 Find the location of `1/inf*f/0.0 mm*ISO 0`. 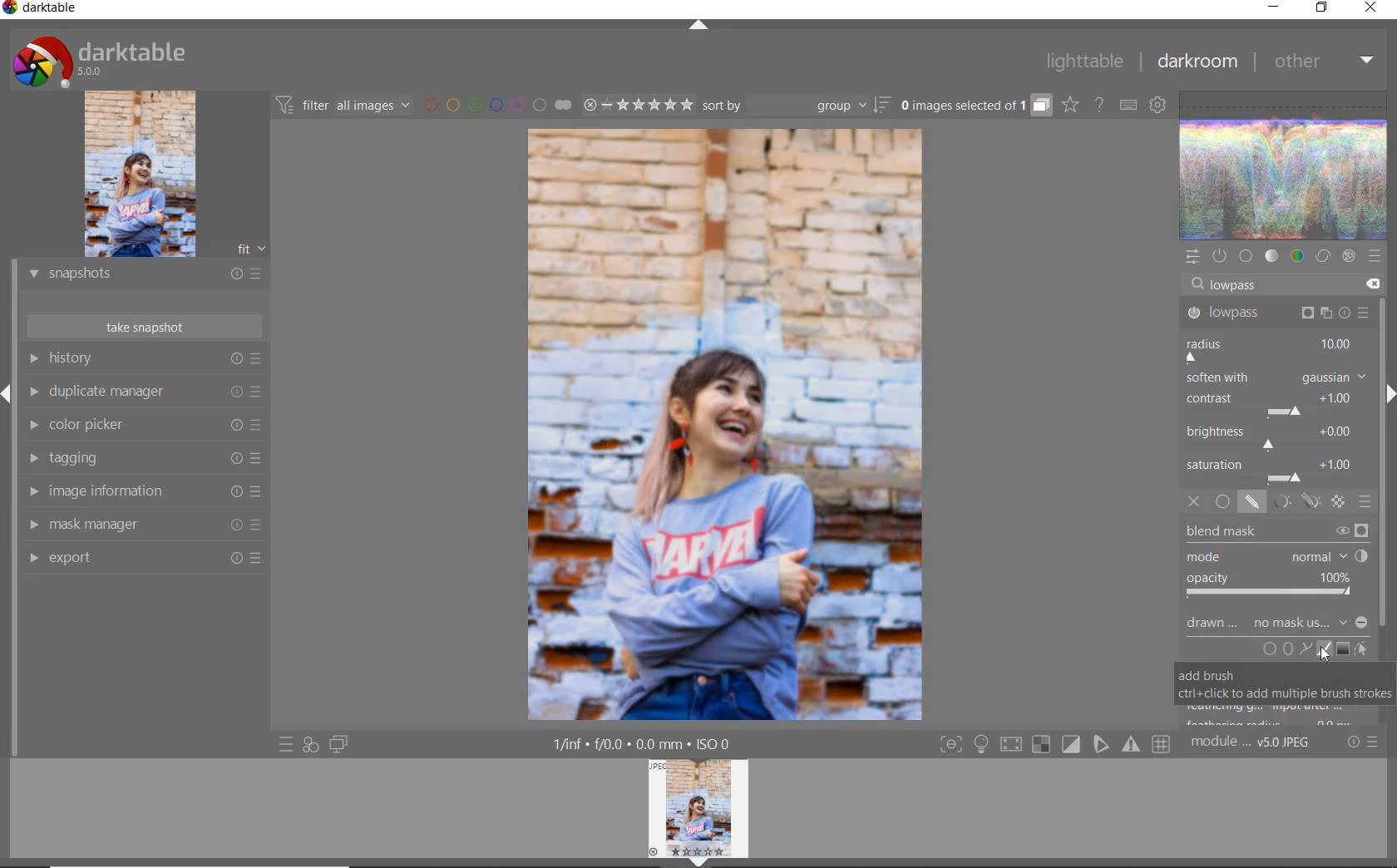

1/inf*f/0.0 mm*ISO 0 is located at coordinates (646, 744).